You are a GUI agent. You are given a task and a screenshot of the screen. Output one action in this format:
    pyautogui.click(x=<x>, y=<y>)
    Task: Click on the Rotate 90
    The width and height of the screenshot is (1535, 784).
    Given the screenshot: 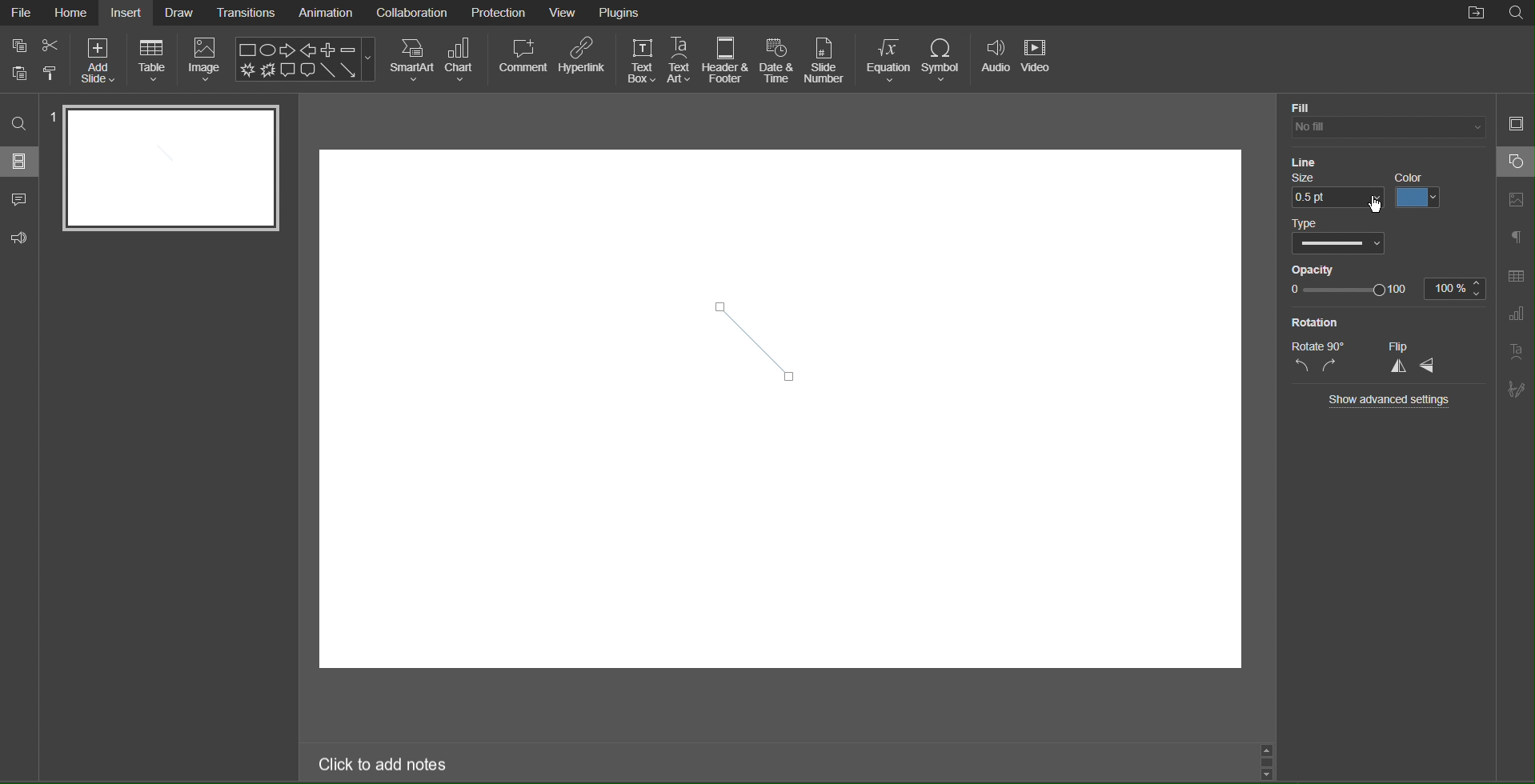 What is the action you would take?
    pyautogui.click(x=1319, y=346)
    